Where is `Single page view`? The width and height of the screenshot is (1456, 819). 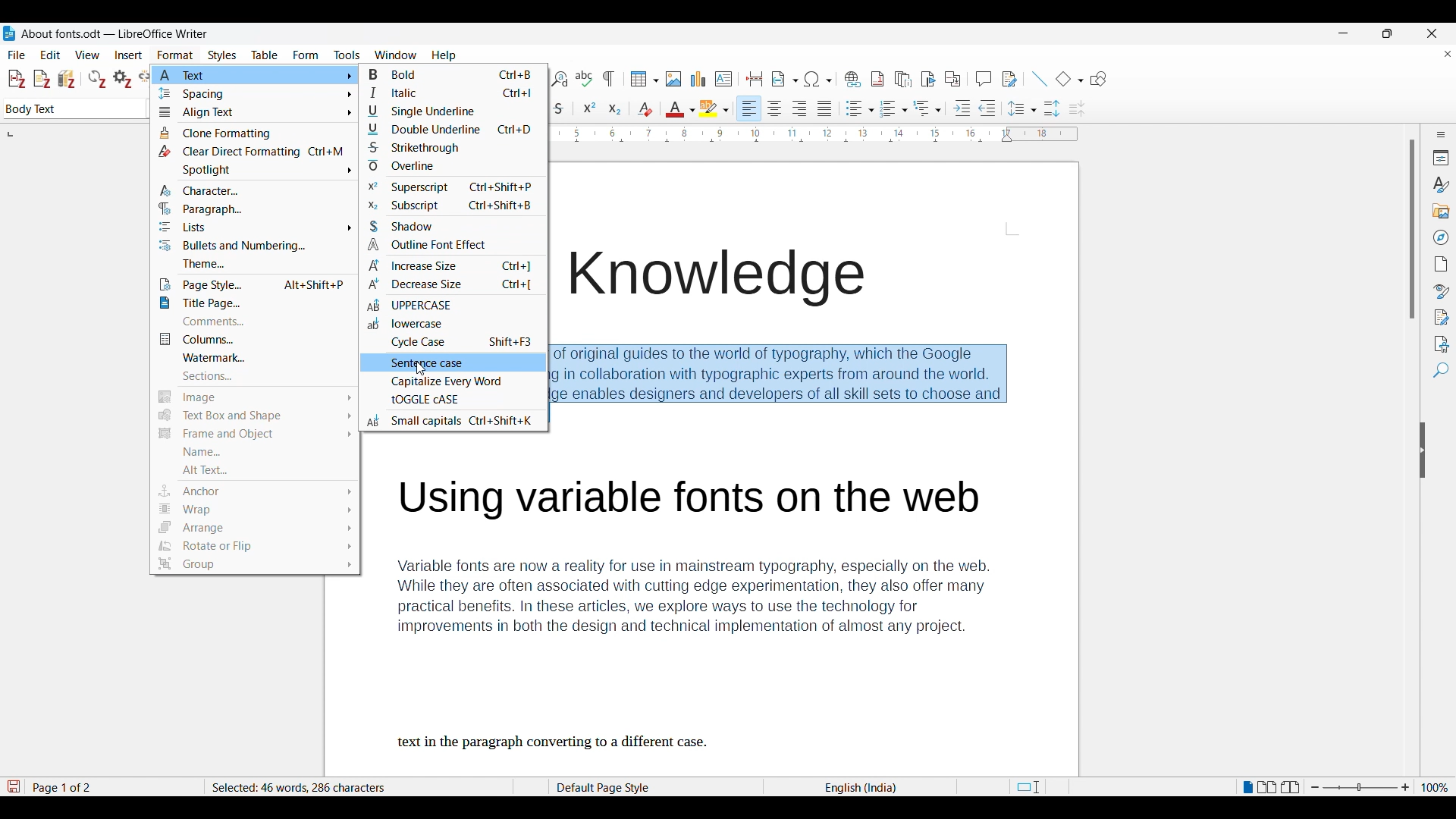
Single page view is located at coordinates (1247, 787).